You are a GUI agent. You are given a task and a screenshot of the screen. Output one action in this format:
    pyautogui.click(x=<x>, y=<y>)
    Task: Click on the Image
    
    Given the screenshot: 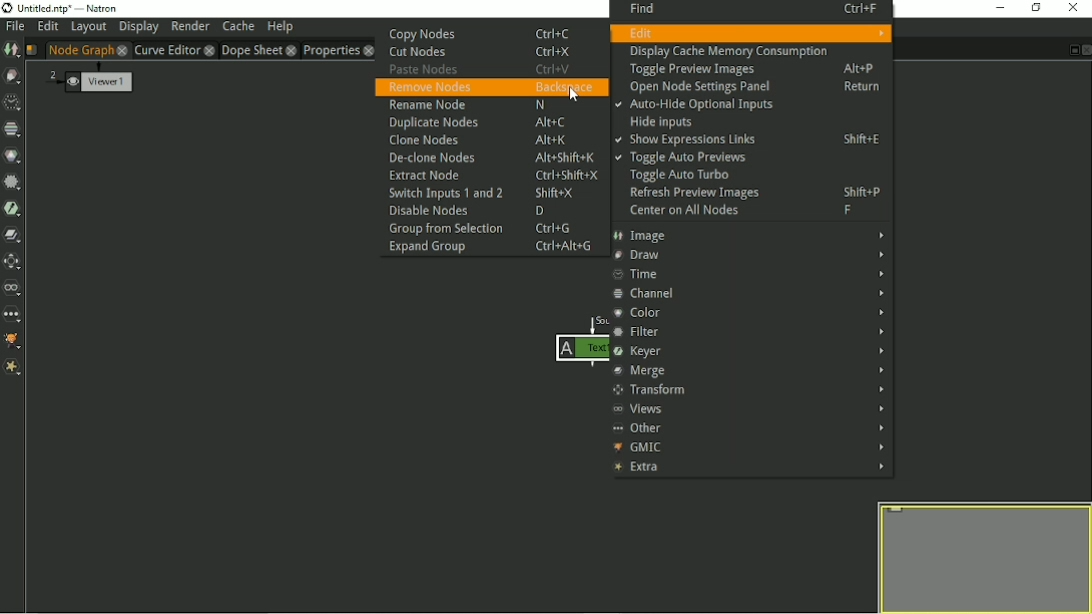 What is the action you would take?
    pyautogui.click(x=751, y=236)
    